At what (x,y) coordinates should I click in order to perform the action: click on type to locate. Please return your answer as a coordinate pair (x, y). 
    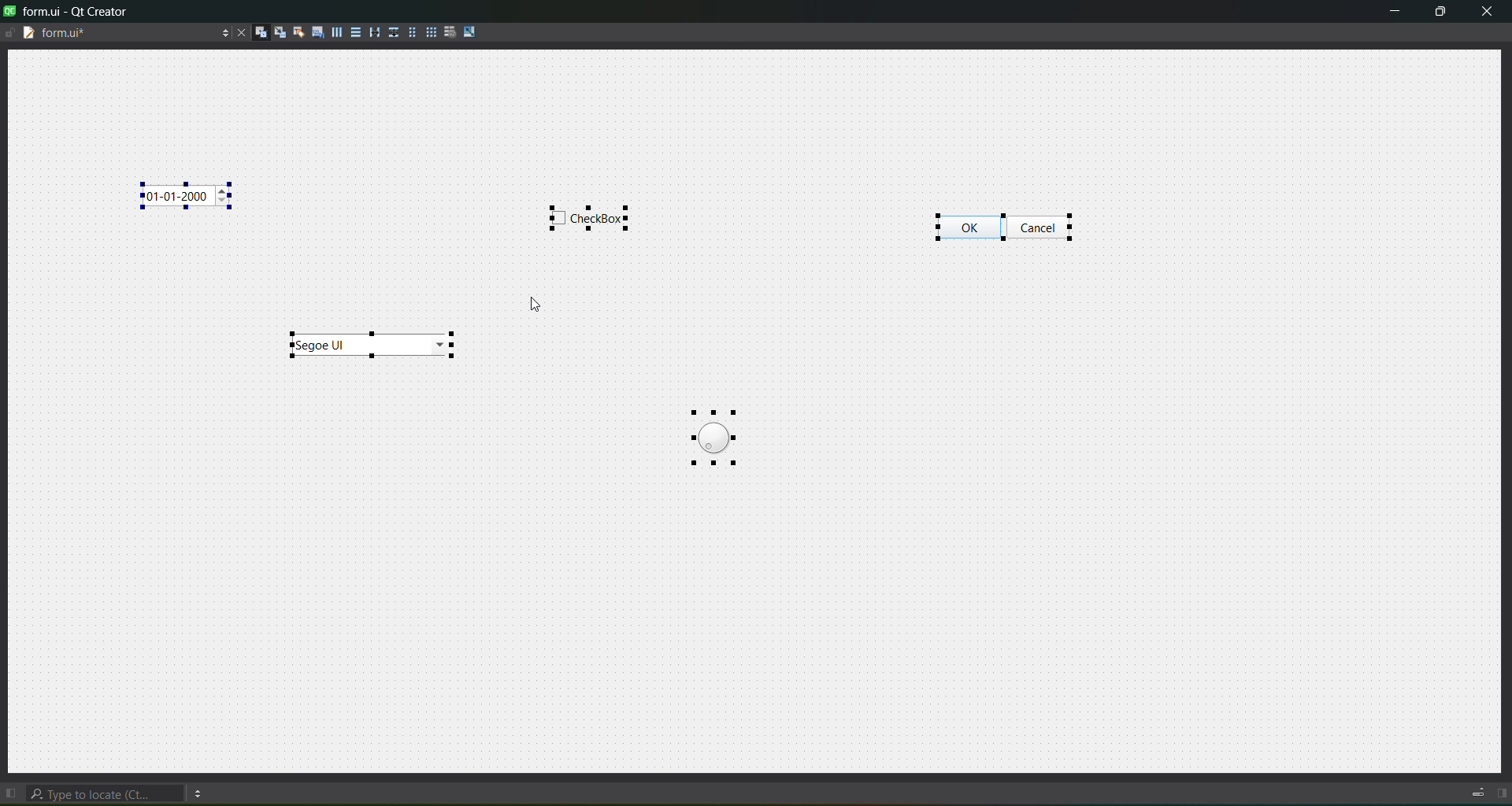
    Looking at the image, I should click on (108, 791).